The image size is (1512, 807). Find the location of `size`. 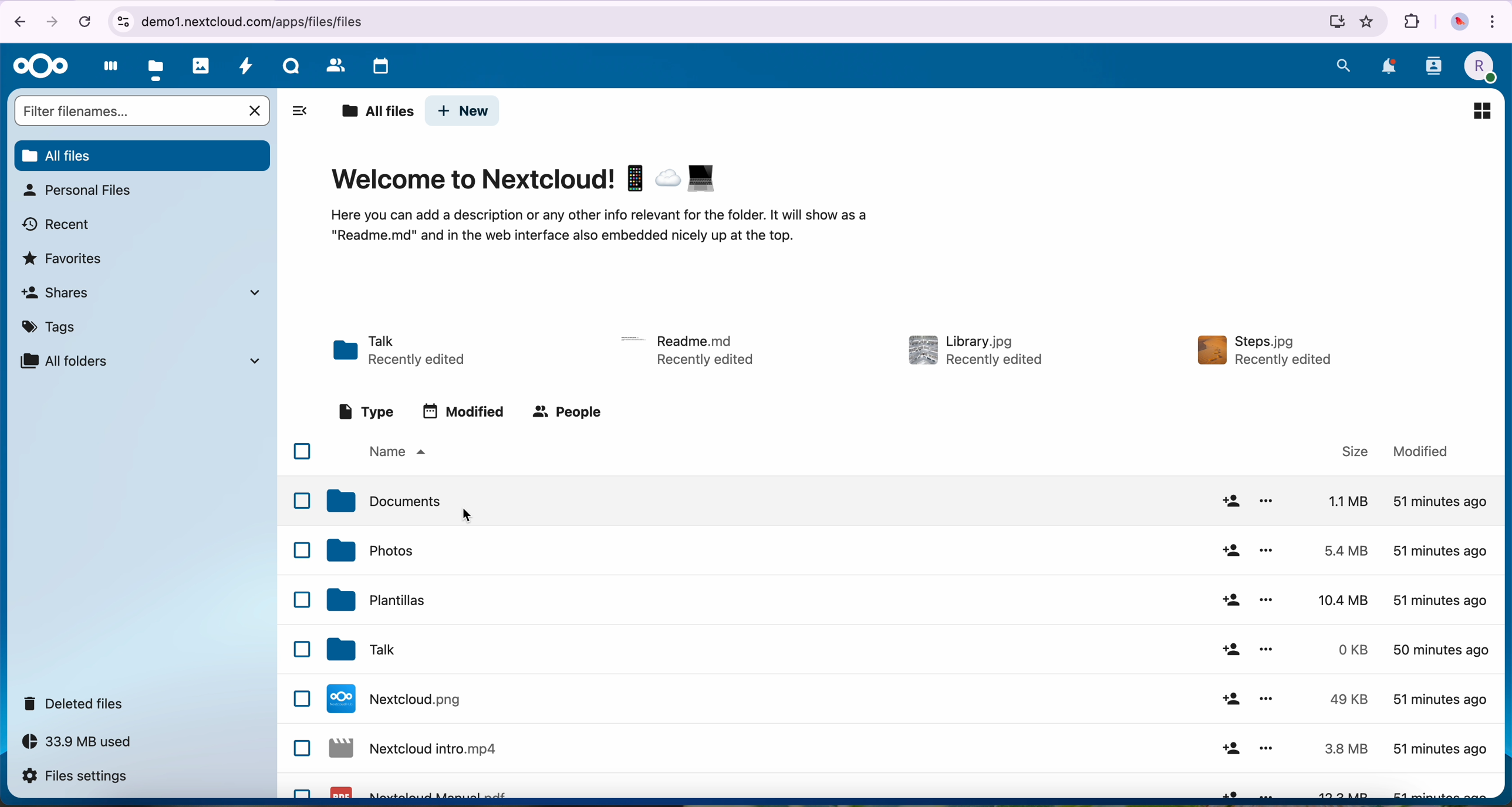

size is located at coordinates (1341, 599).